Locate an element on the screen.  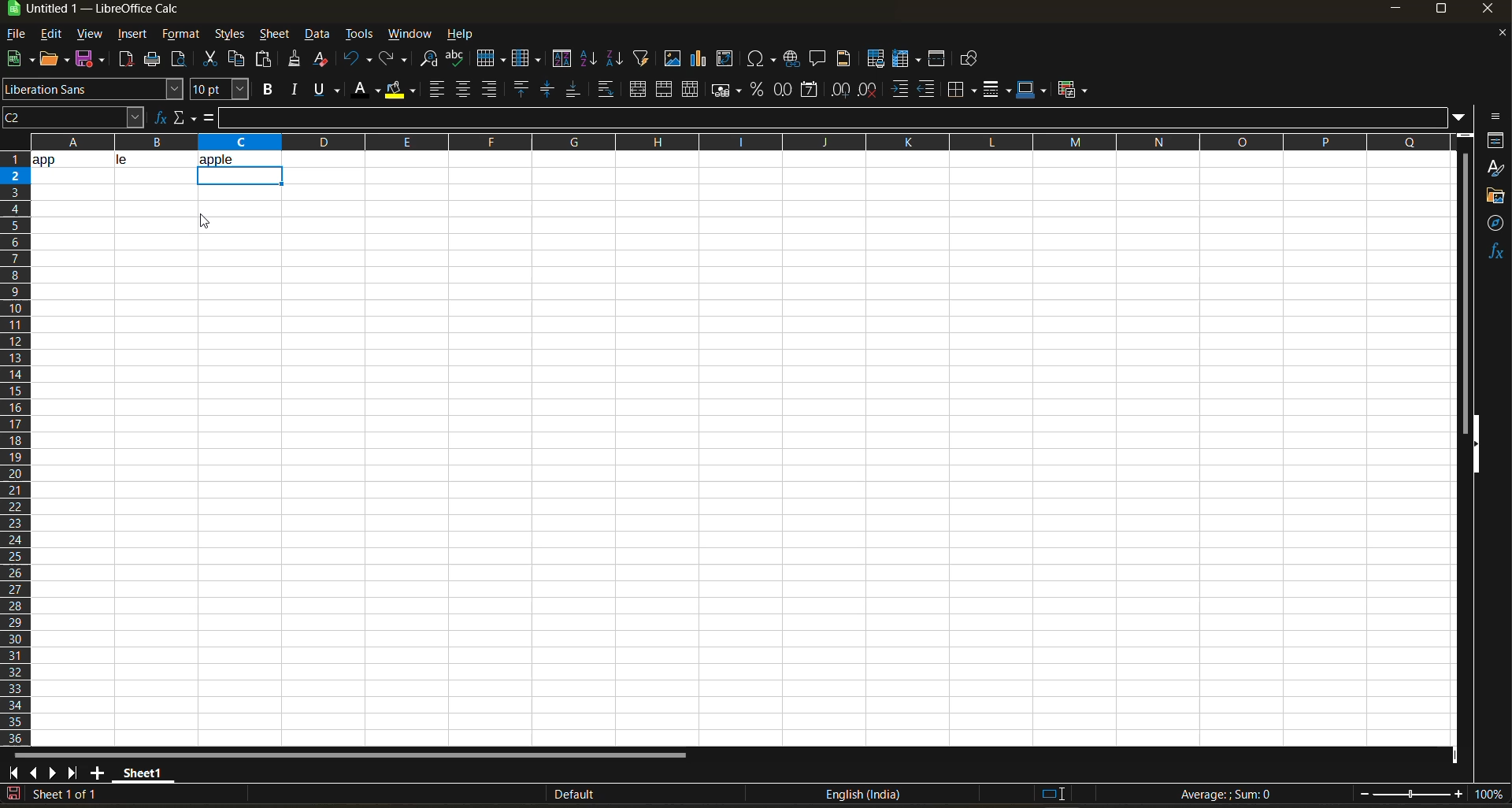
freeze rows and columns is located at coordinates (910, 60).